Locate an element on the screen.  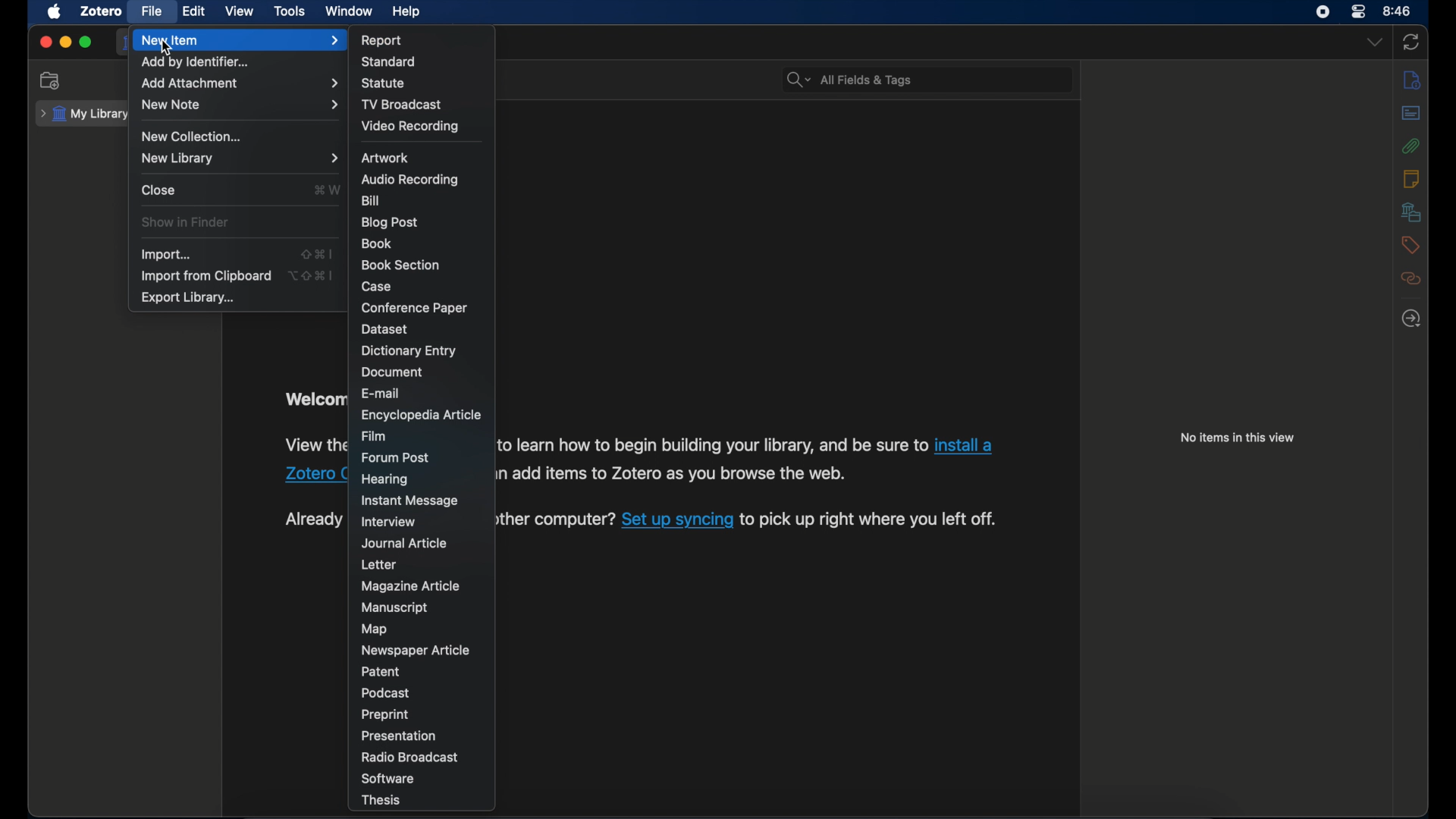
radio broadcast is located at coordinates (409, 757).